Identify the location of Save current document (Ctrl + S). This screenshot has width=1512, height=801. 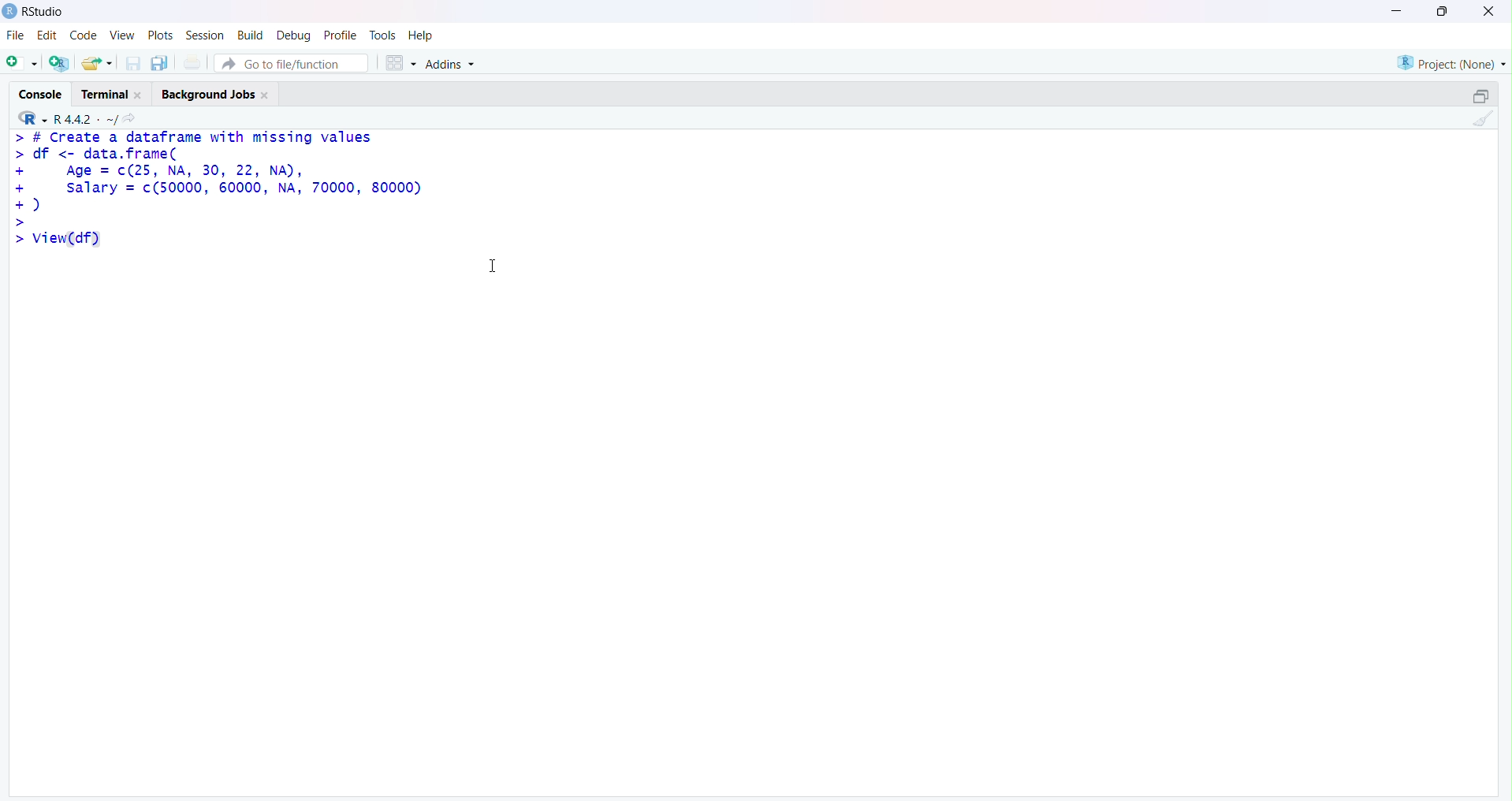
(132, 62).